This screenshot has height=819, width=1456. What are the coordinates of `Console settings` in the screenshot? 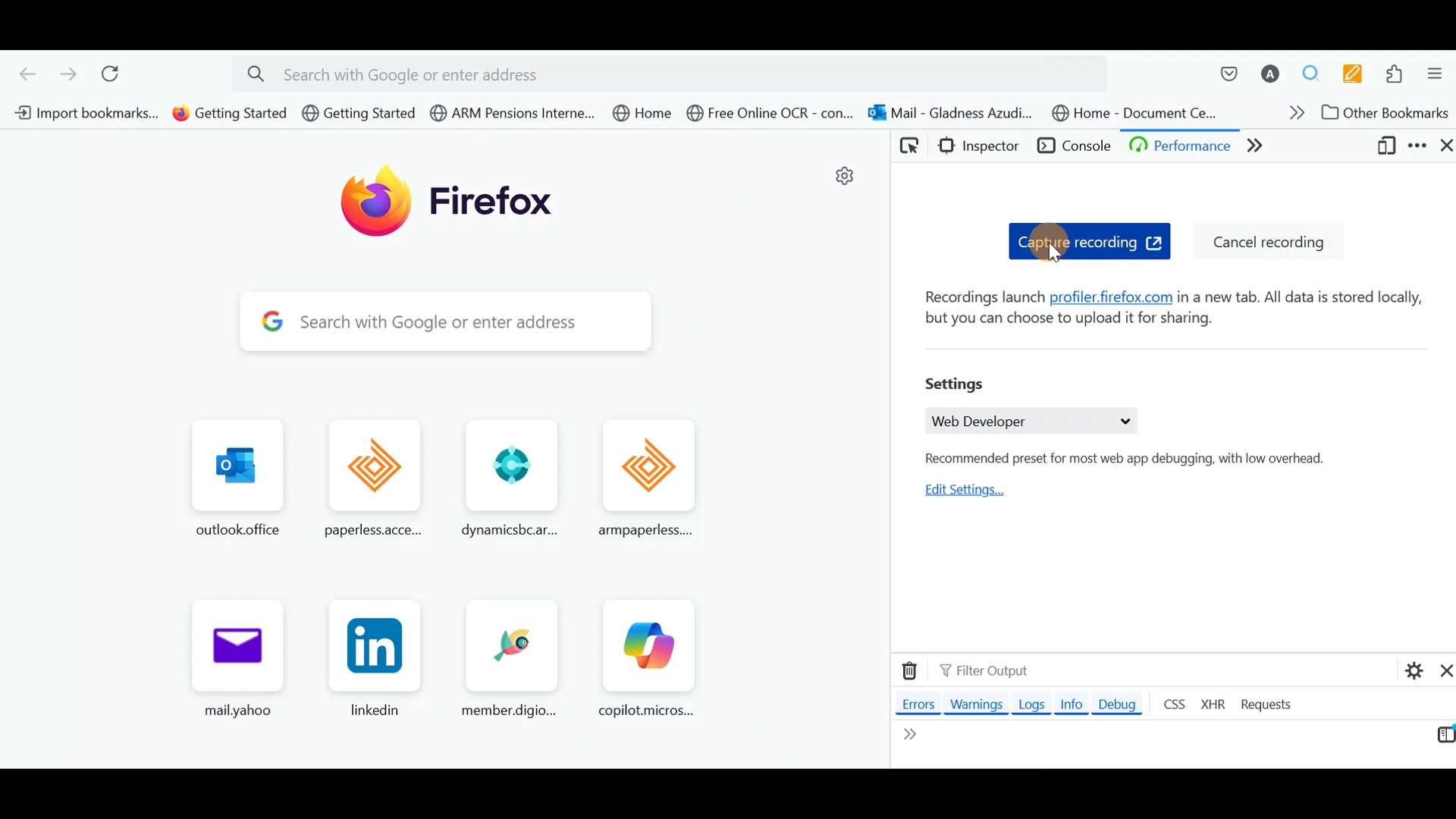 It's located at (1407, 668).